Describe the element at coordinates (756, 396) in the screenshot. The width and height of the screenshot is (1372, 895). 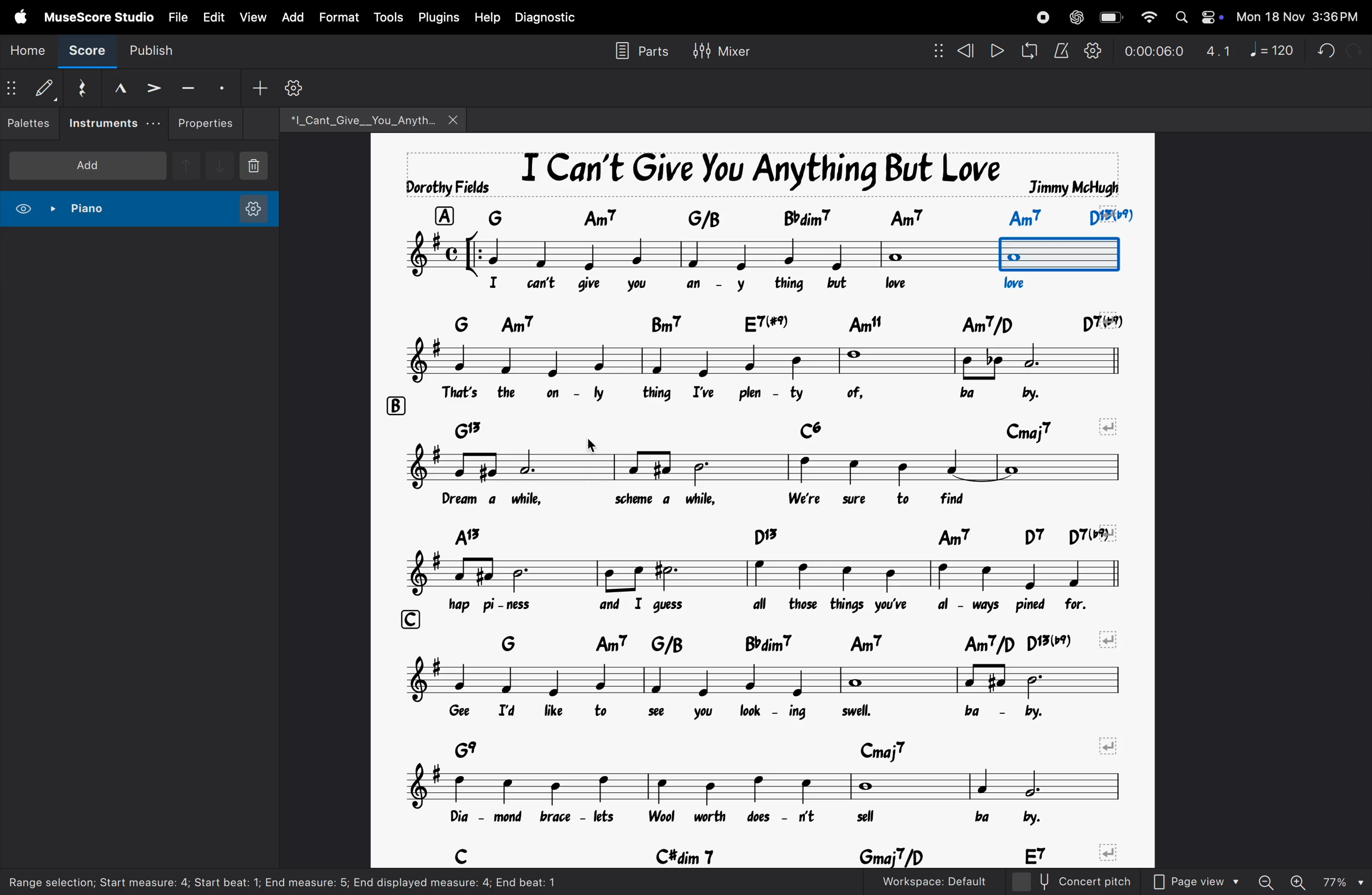
I see `lyrics` at that location.